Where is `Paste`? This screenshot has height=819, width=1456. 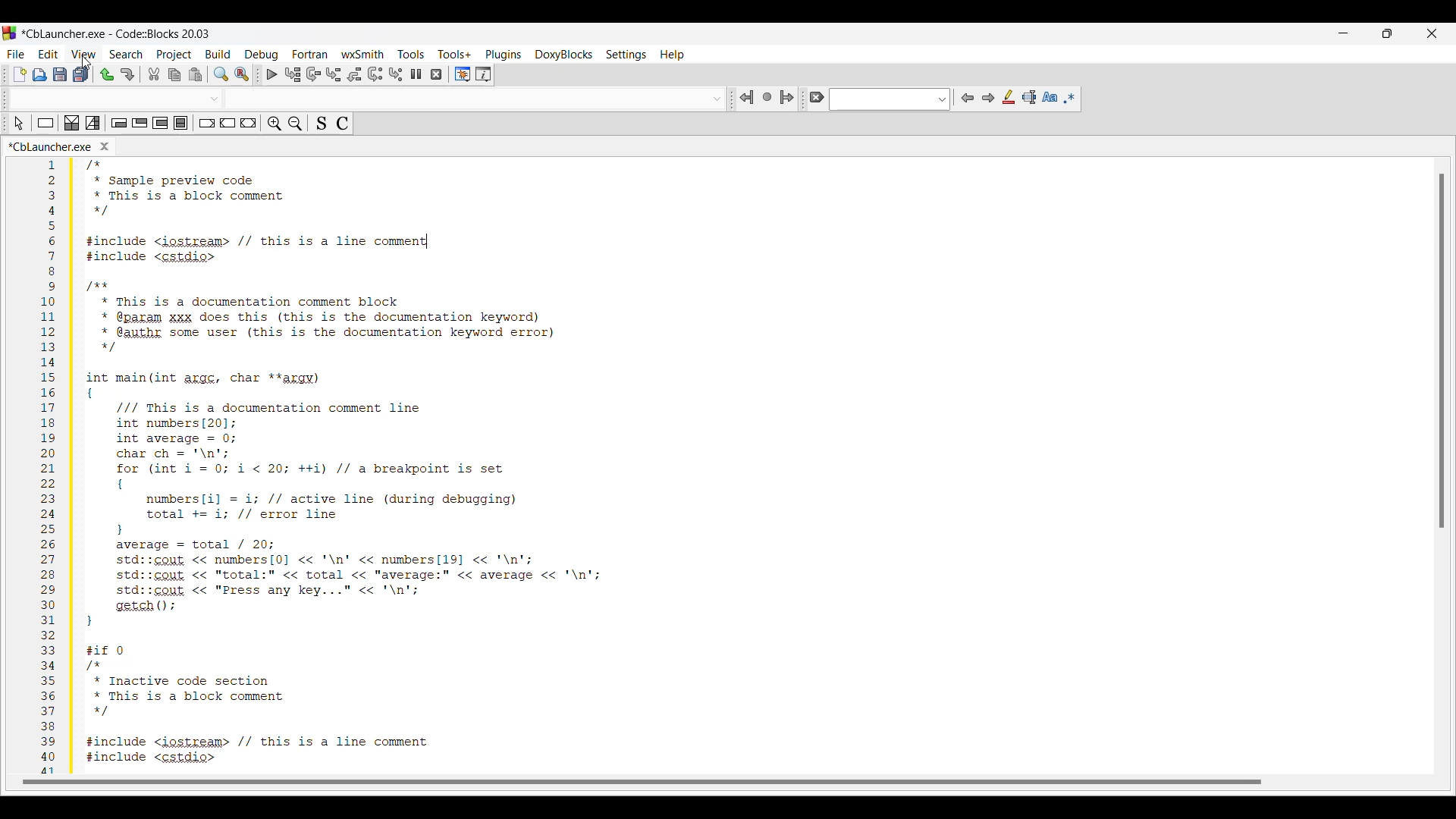
Paste is located at coordinates (195, 74).